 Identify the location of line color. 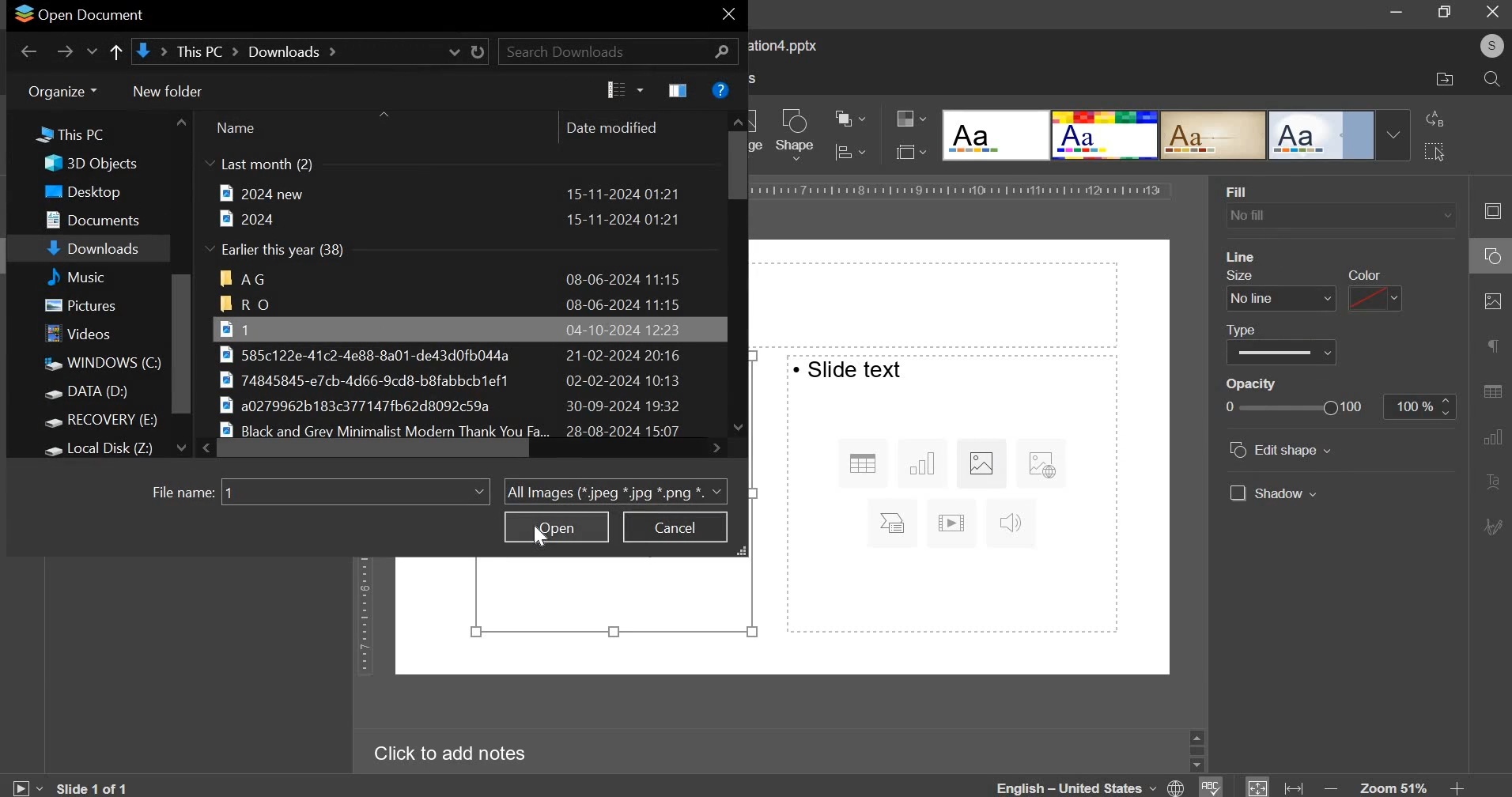
(1373, 298).